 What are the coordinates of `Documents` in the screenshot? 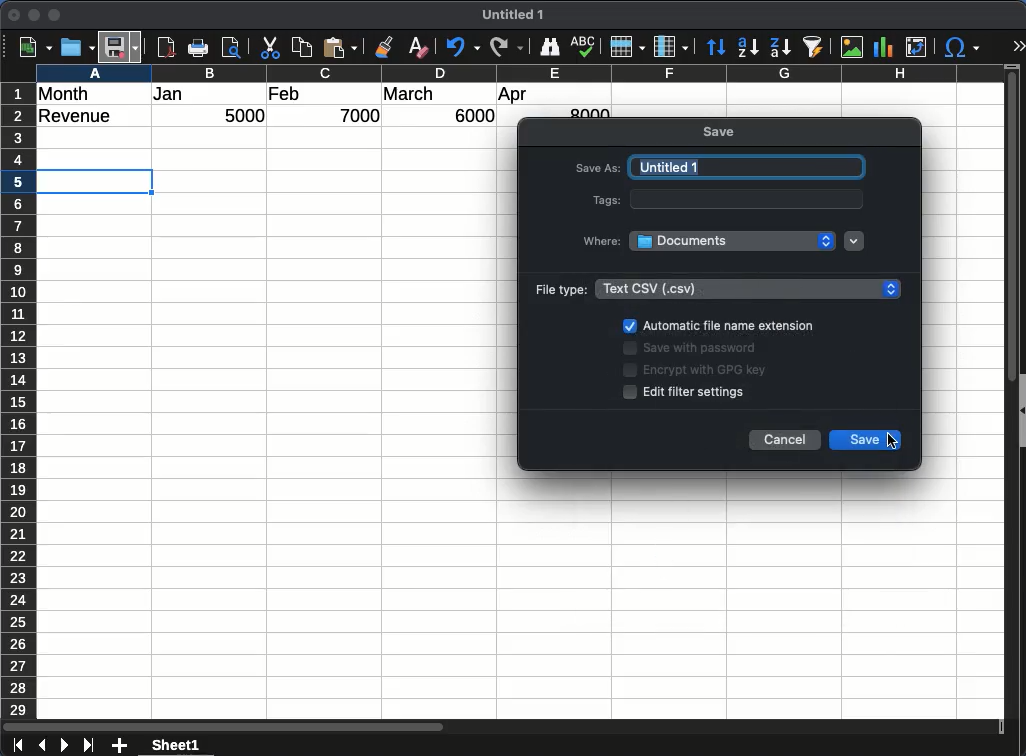 It's located at (733, 240).